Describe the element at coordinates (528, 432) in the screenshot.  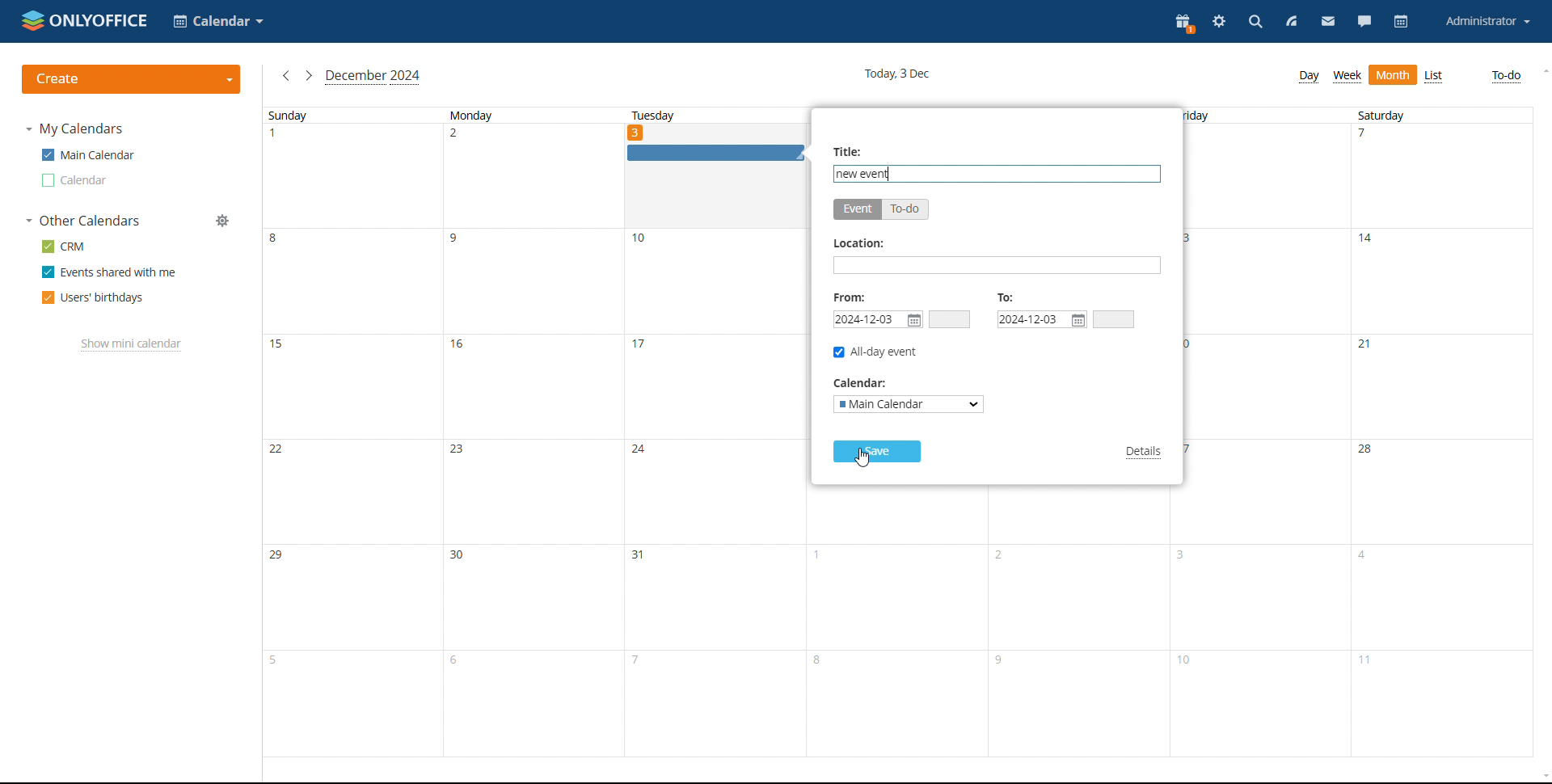
I see `monday` at that location.